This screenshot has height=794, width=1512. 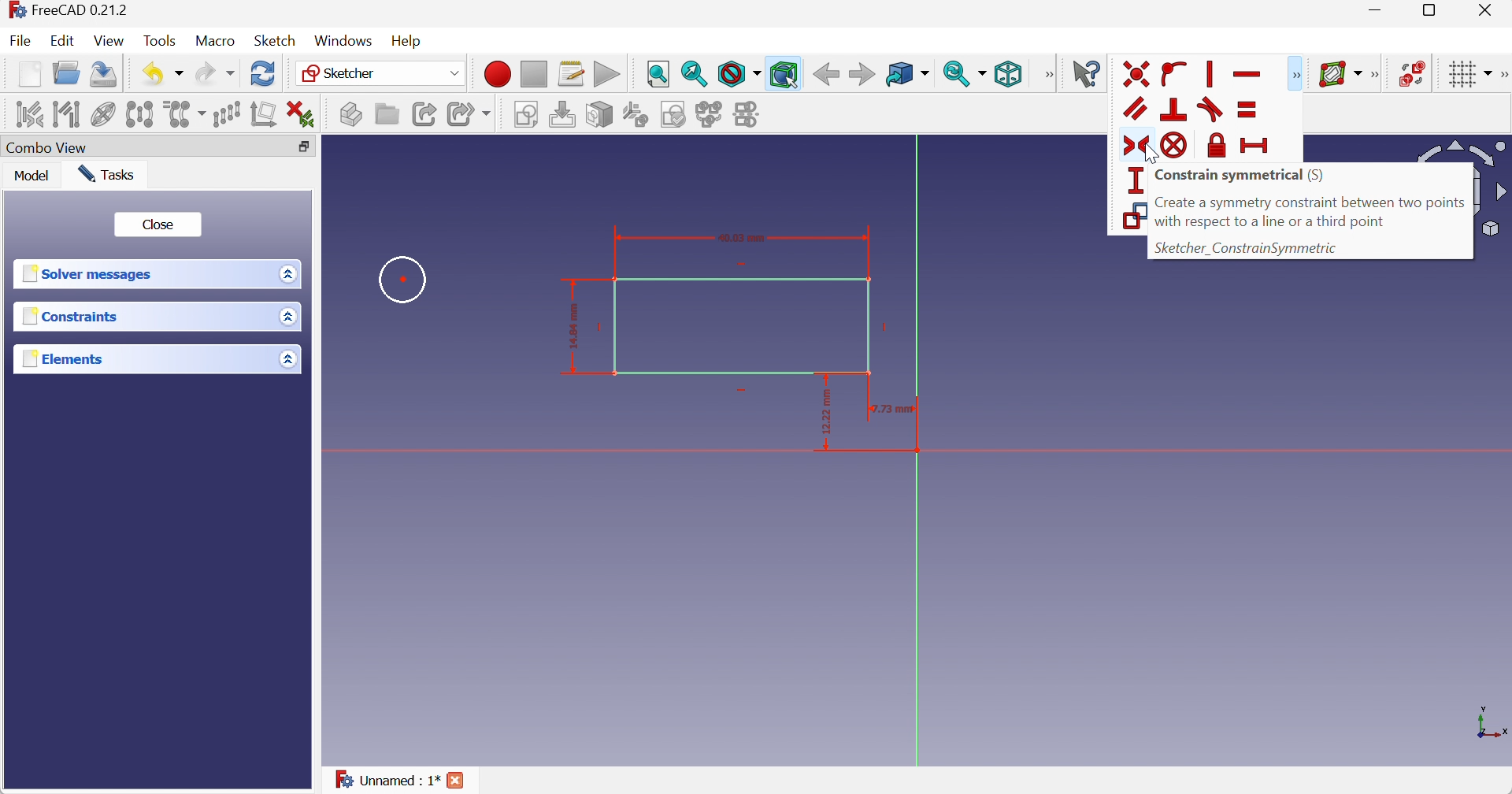 I want to click on Rectangle with dimensions, so click(x=732, y=337).